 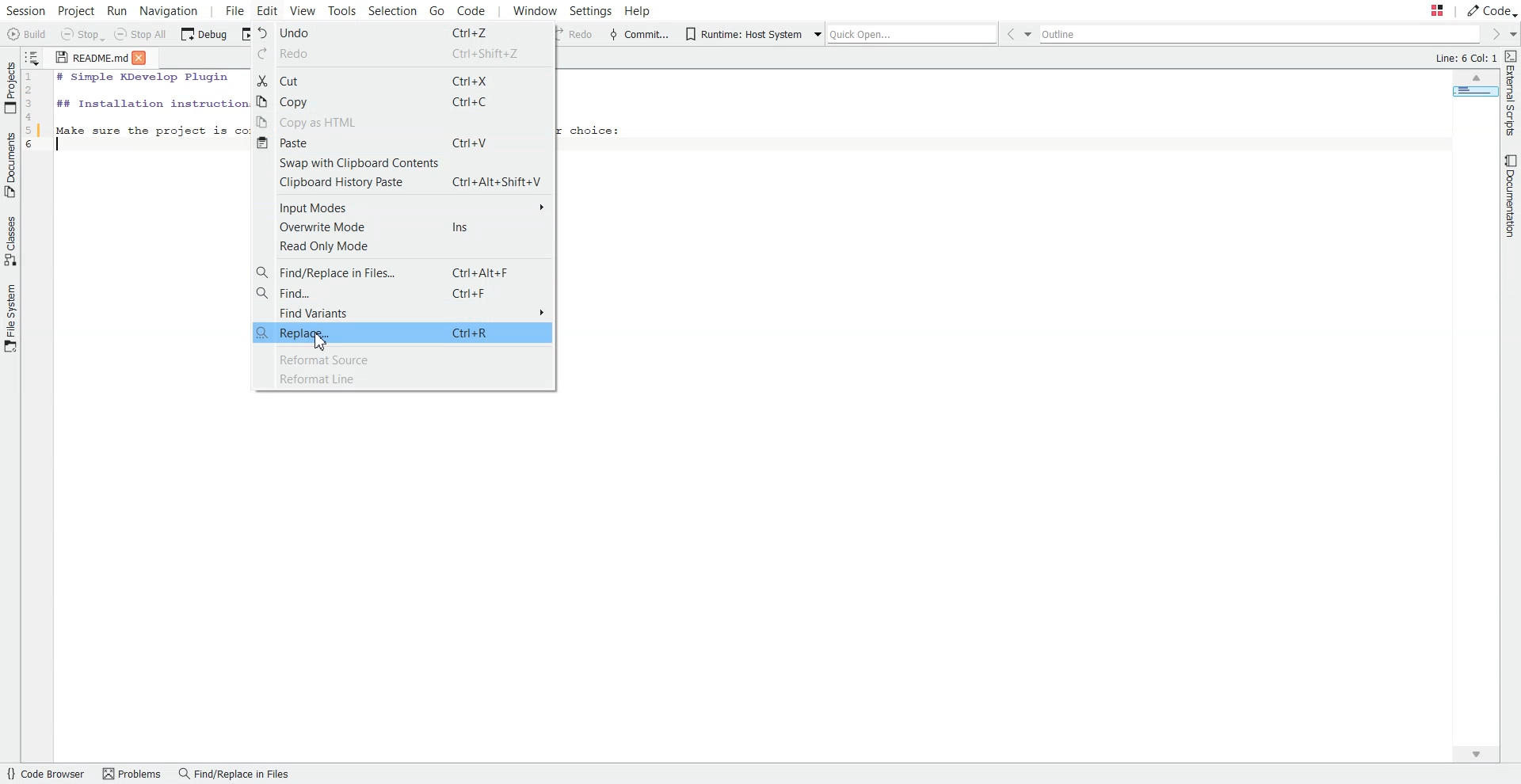 What do you see at coordinates (10, 241) in the screenshot?
I see `Classes` at bounding box center [10, 241].